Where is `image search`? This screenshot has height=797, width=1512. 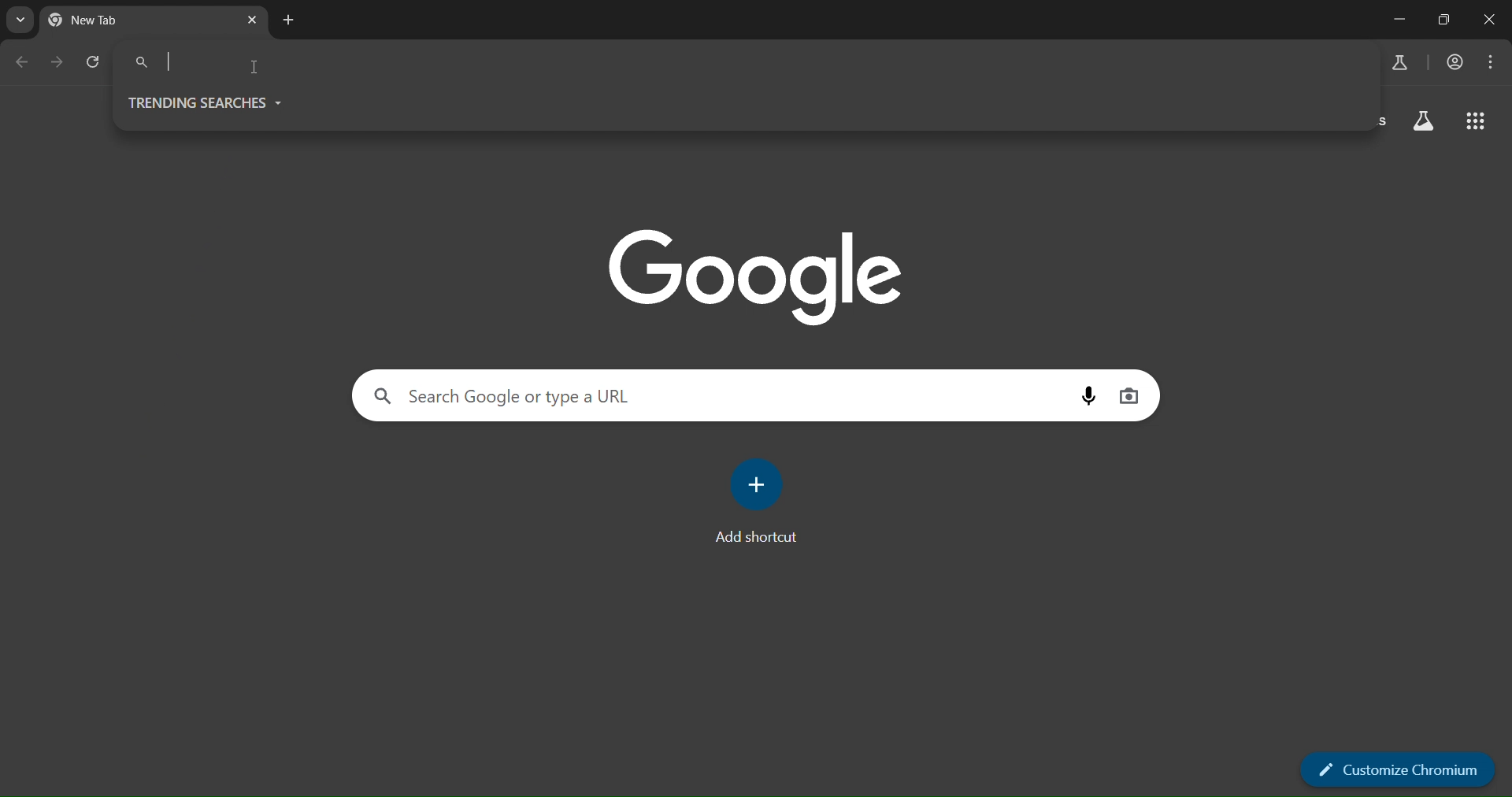
image search is located at coordinates (1132, 396).